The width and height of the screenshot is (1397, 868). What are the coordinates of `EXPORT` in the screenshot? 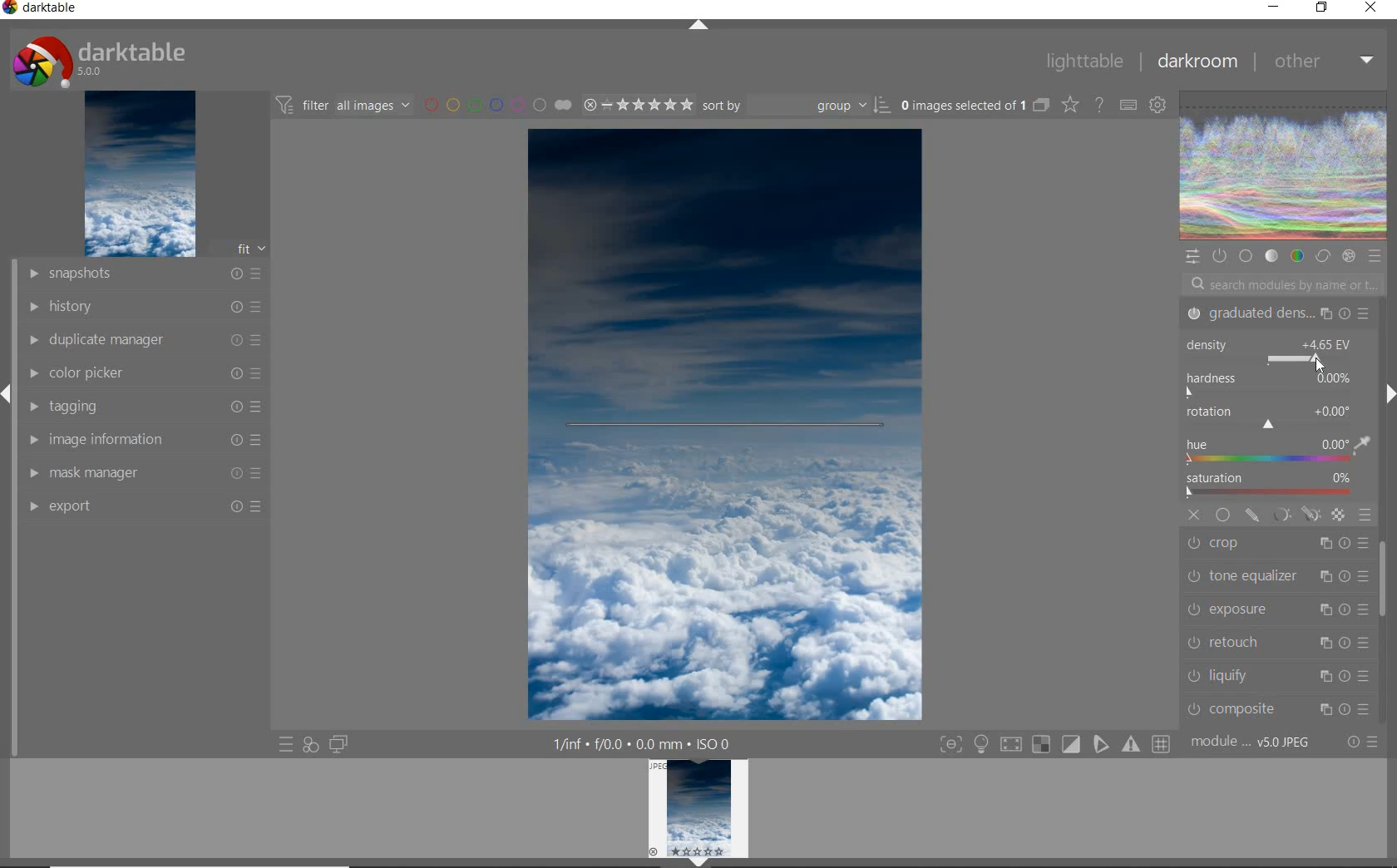 It's located at (143, 506).